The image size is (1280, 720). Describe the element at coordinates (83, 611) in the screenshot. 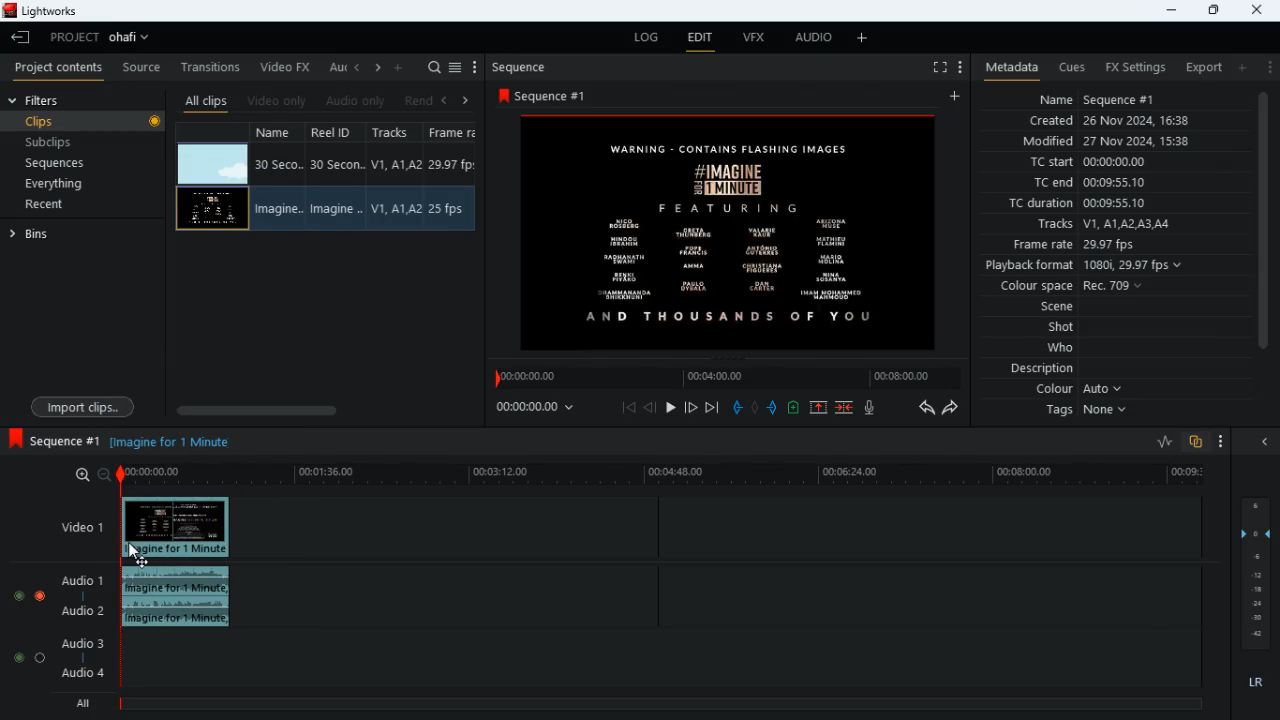

I see `audio 2` at that location.